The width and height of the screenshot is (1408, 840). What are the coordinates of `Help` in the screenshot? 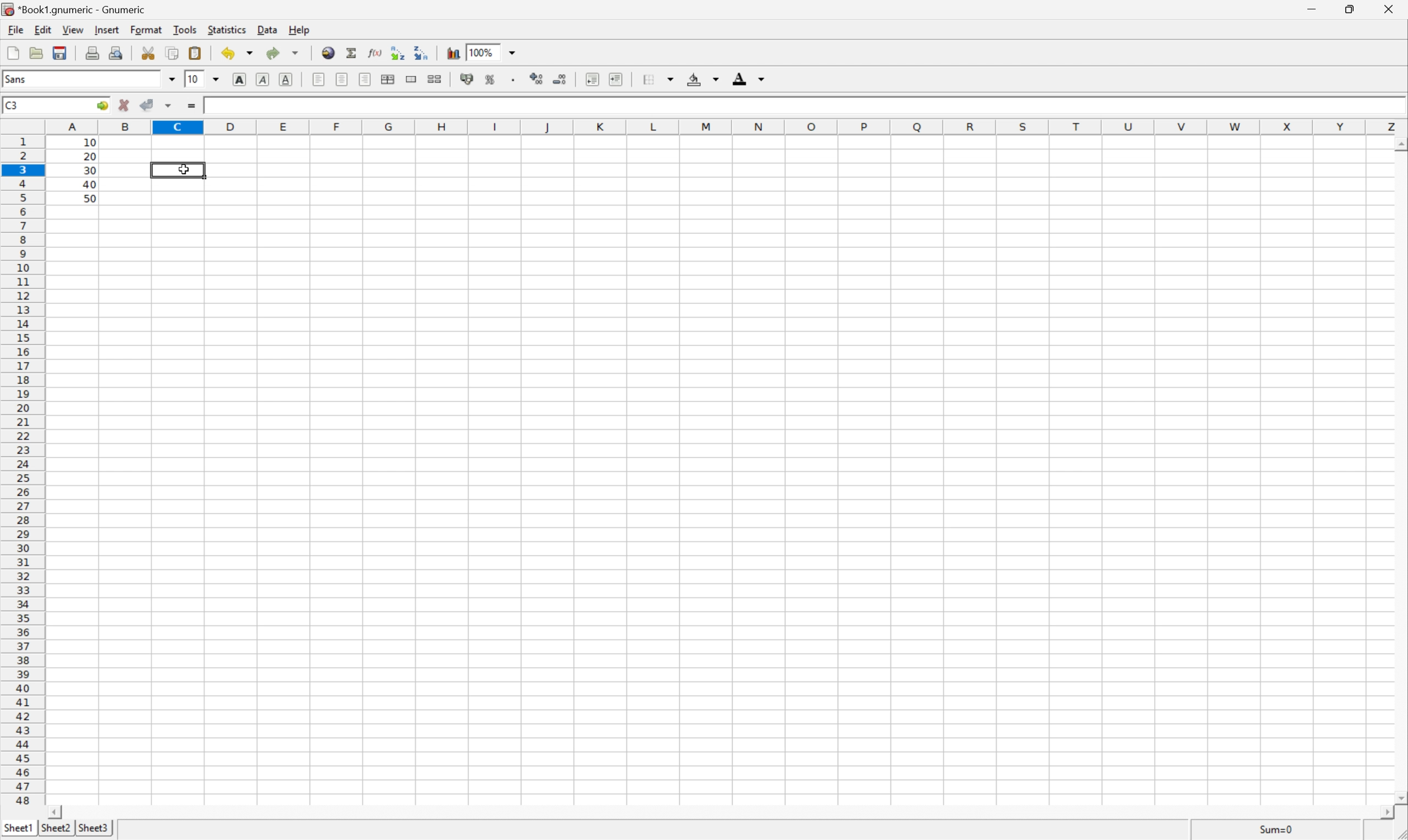 It's located at (301, 28).